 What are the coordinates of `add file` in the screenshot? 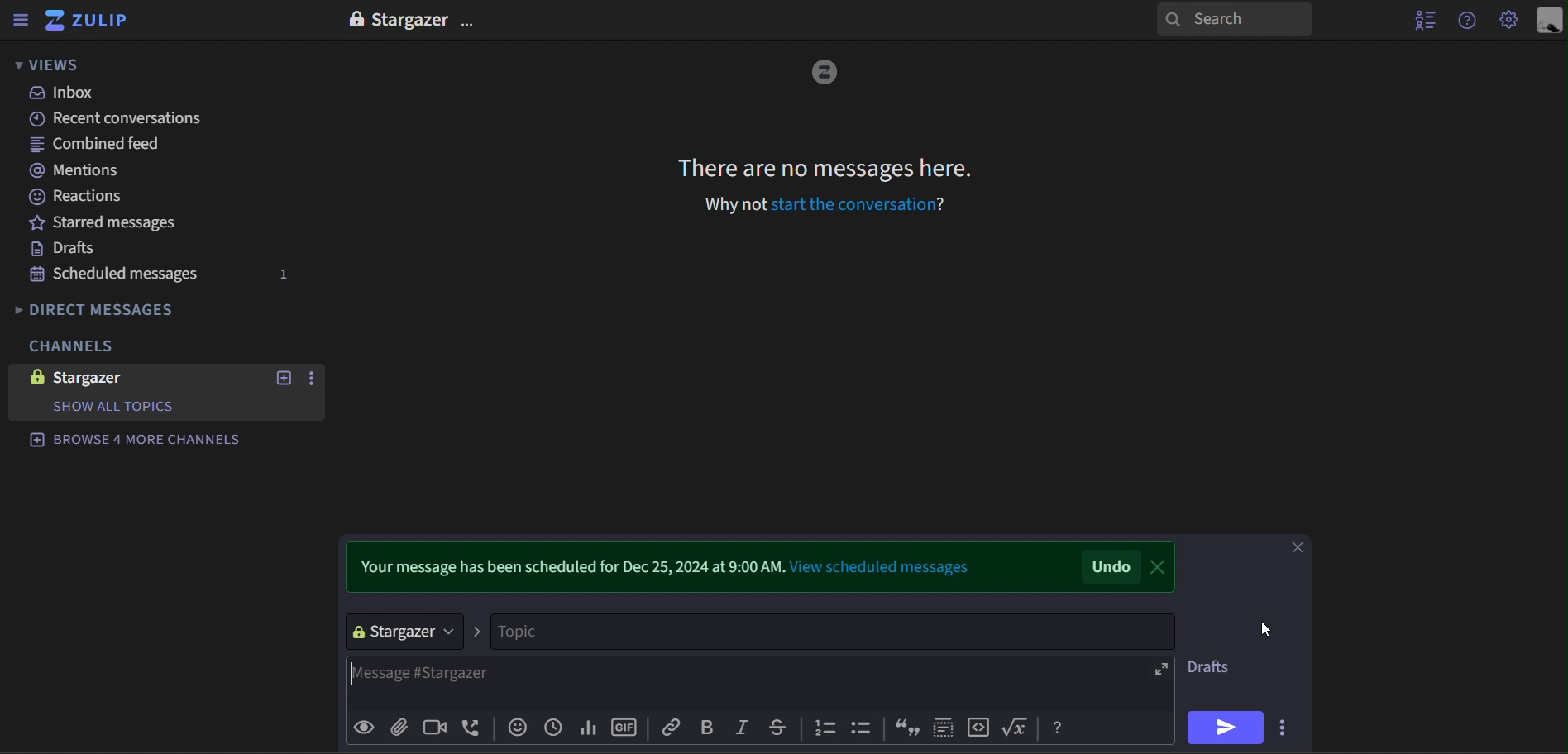 It's located at (404, 727).